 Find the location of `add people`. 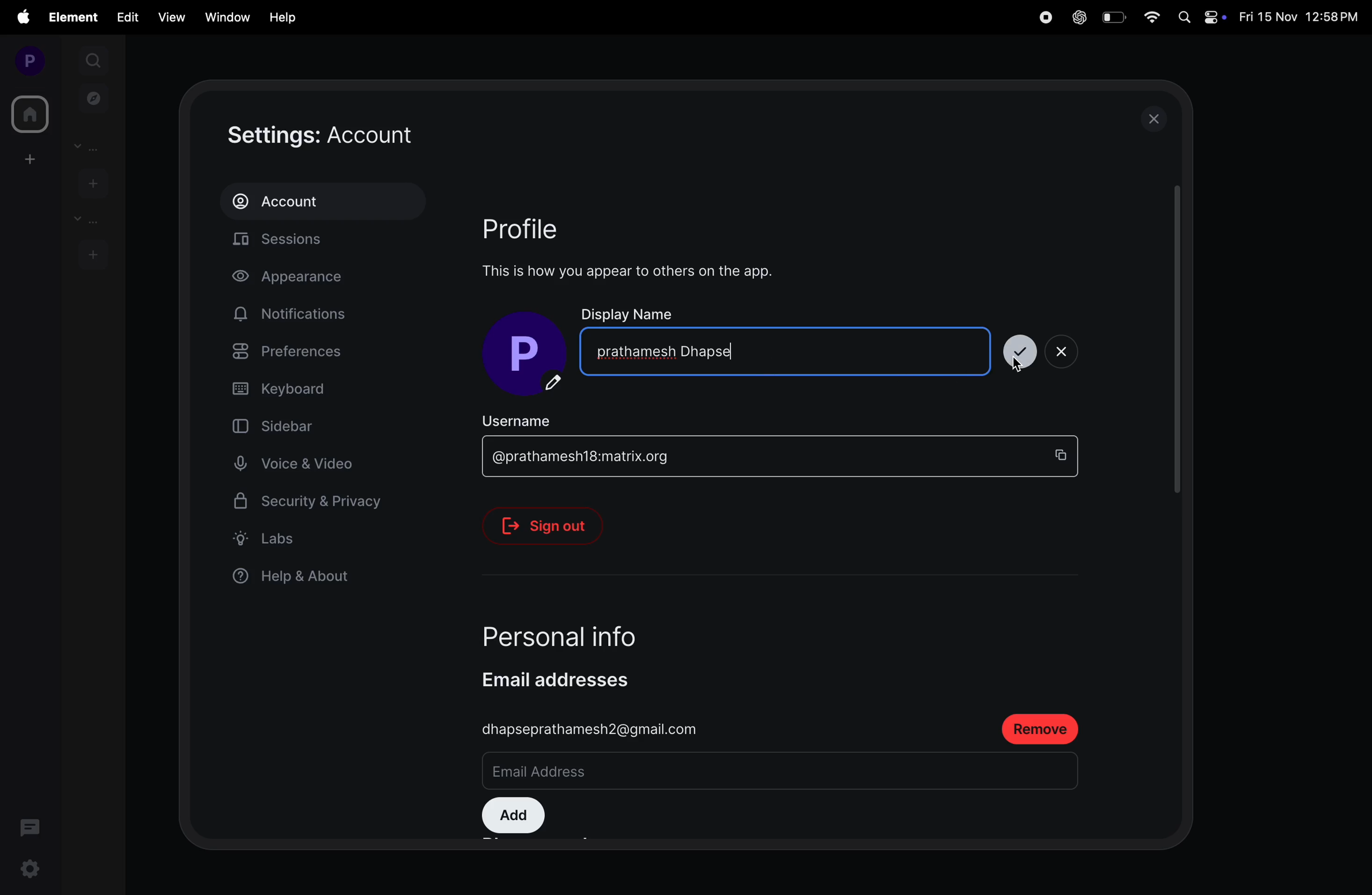

add people is located at coordinates (91, 182).